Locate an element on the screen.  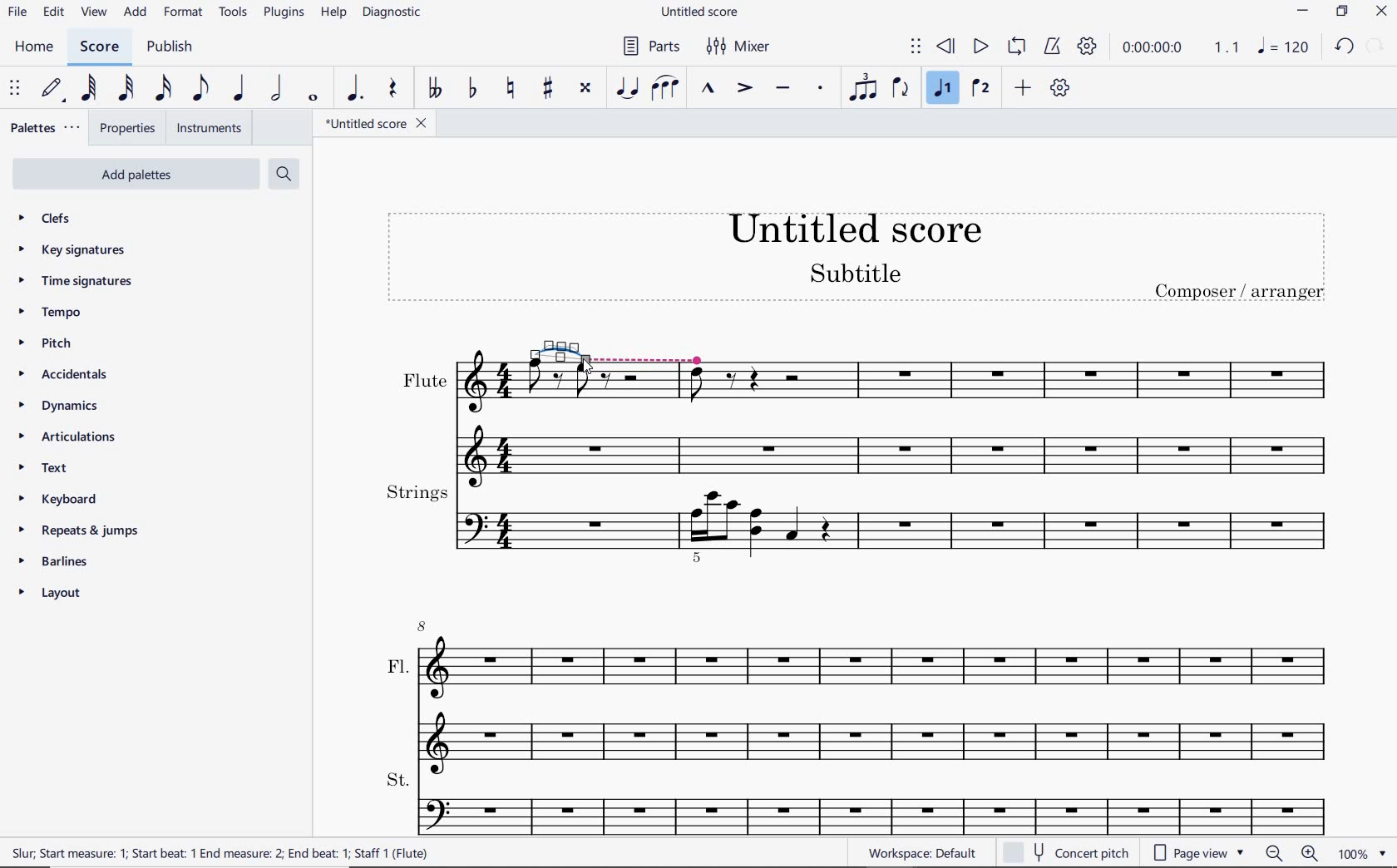
MARCATO is located at coordinates (709, 89).